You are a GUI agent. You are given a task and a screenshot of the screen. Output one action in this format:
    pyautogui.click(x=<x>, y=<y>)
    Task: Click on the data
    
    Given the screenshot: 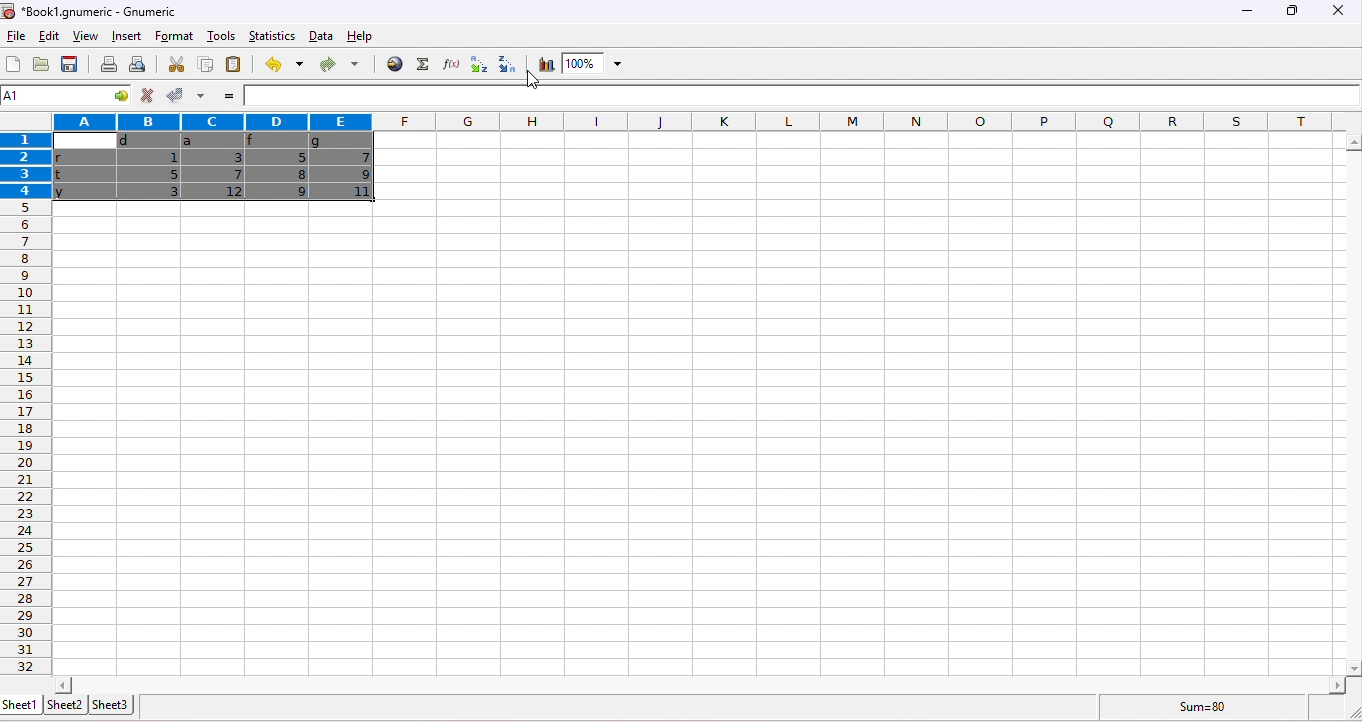 What is the action you would take?
    pyautogui.click(x=320, y=36)
    